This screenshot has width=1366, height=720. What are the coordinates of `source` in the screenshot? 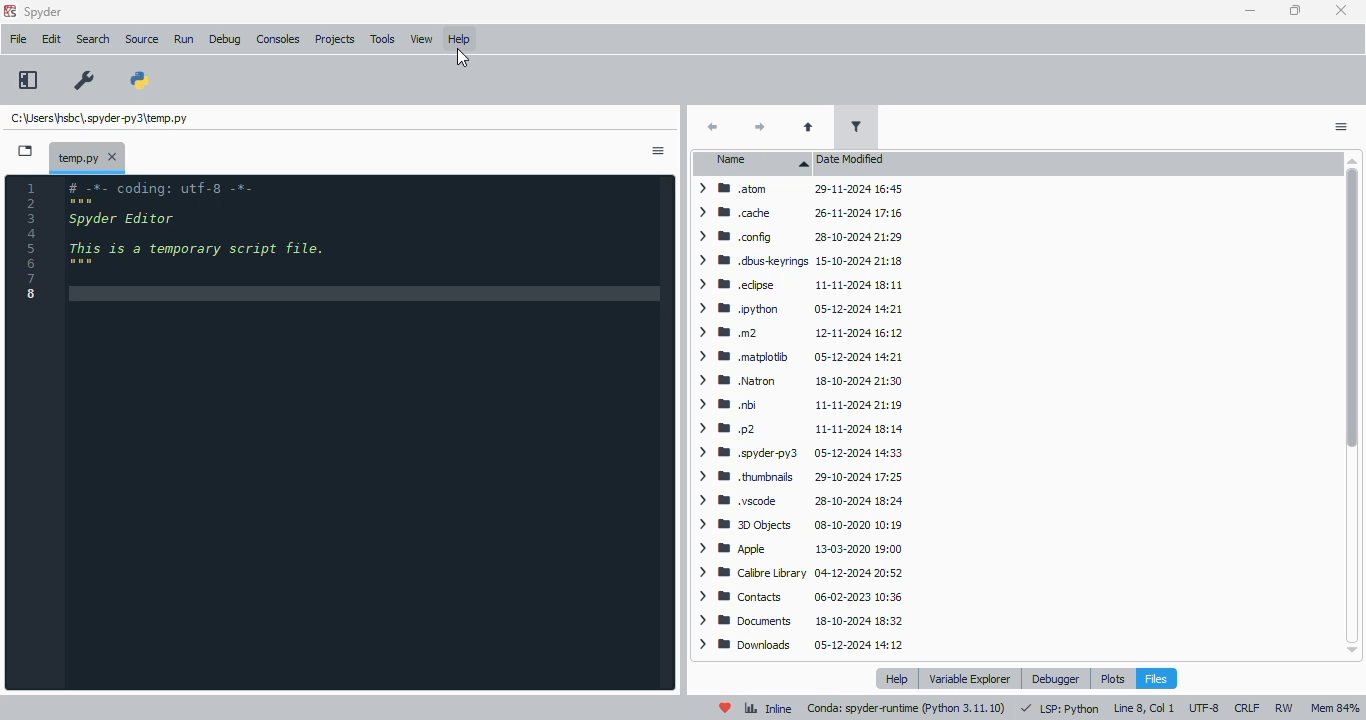 It's located at (142, 39).